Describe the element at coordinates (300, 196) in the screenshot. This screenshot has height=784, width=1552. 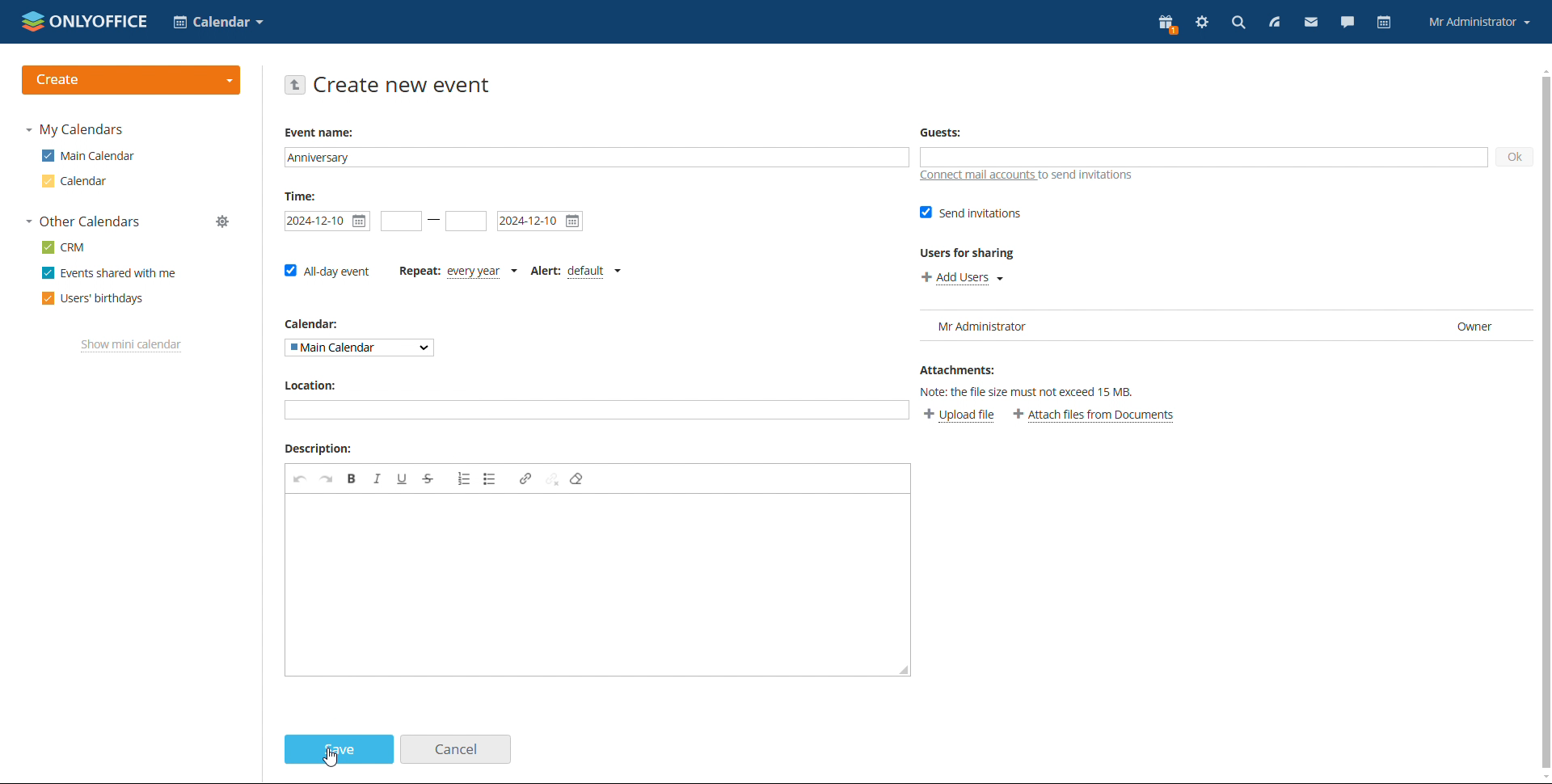
I see `Time:` at that location.